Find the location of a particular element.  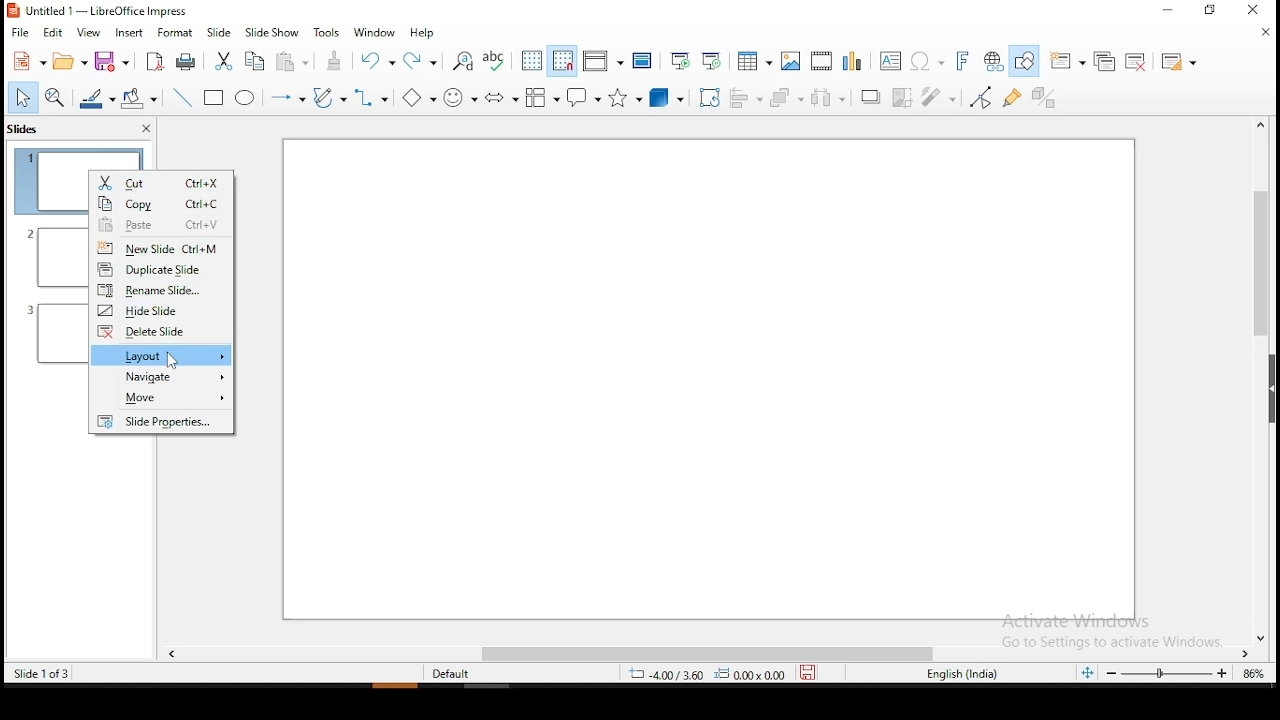

 is located at coordinates (501, 99).